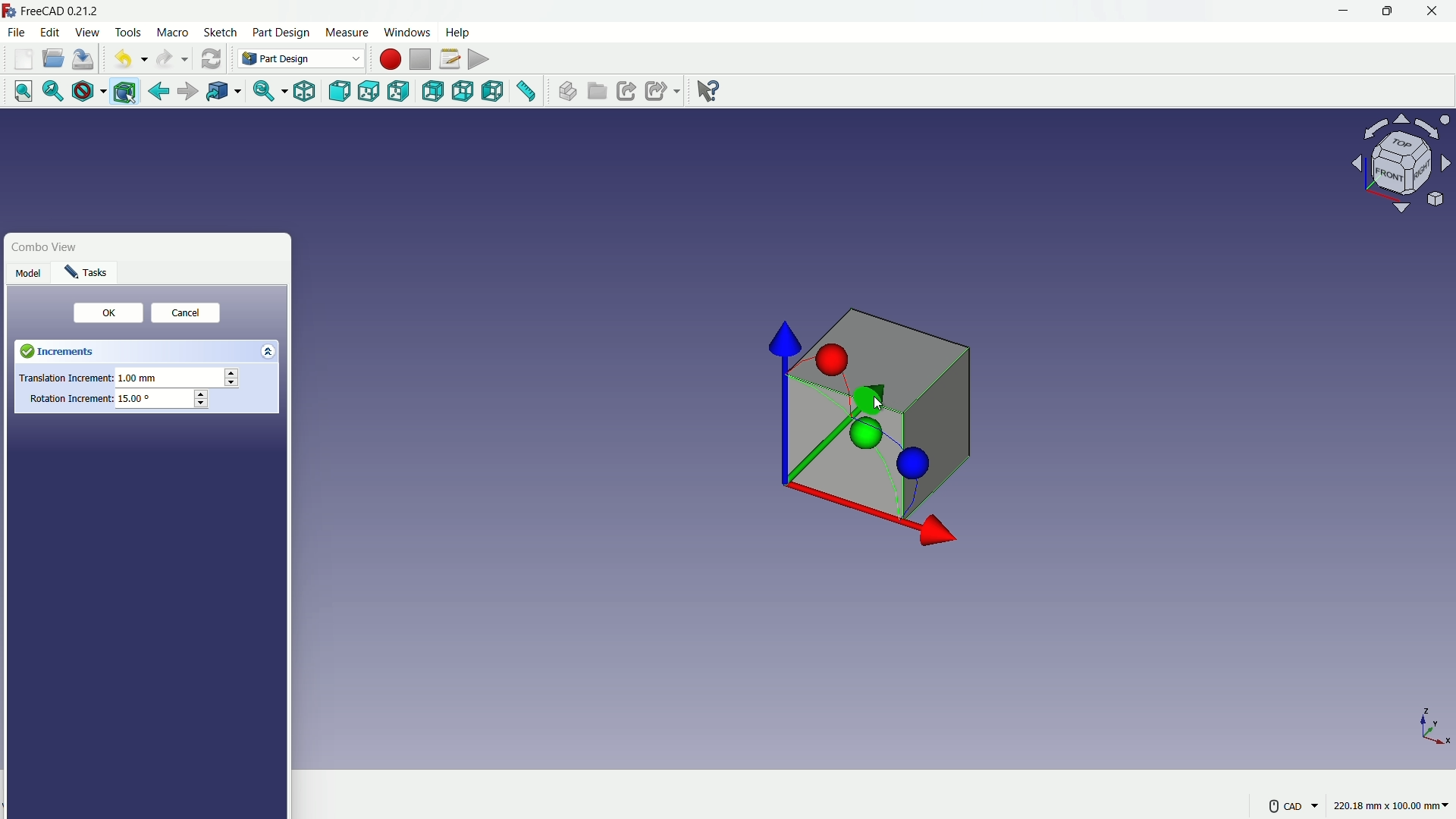 Image resolution: width=1456 pixels, height=819 pixels. Describe the element at coordinates (465, 92) in the screenshot. I see `bottom view` at that location.